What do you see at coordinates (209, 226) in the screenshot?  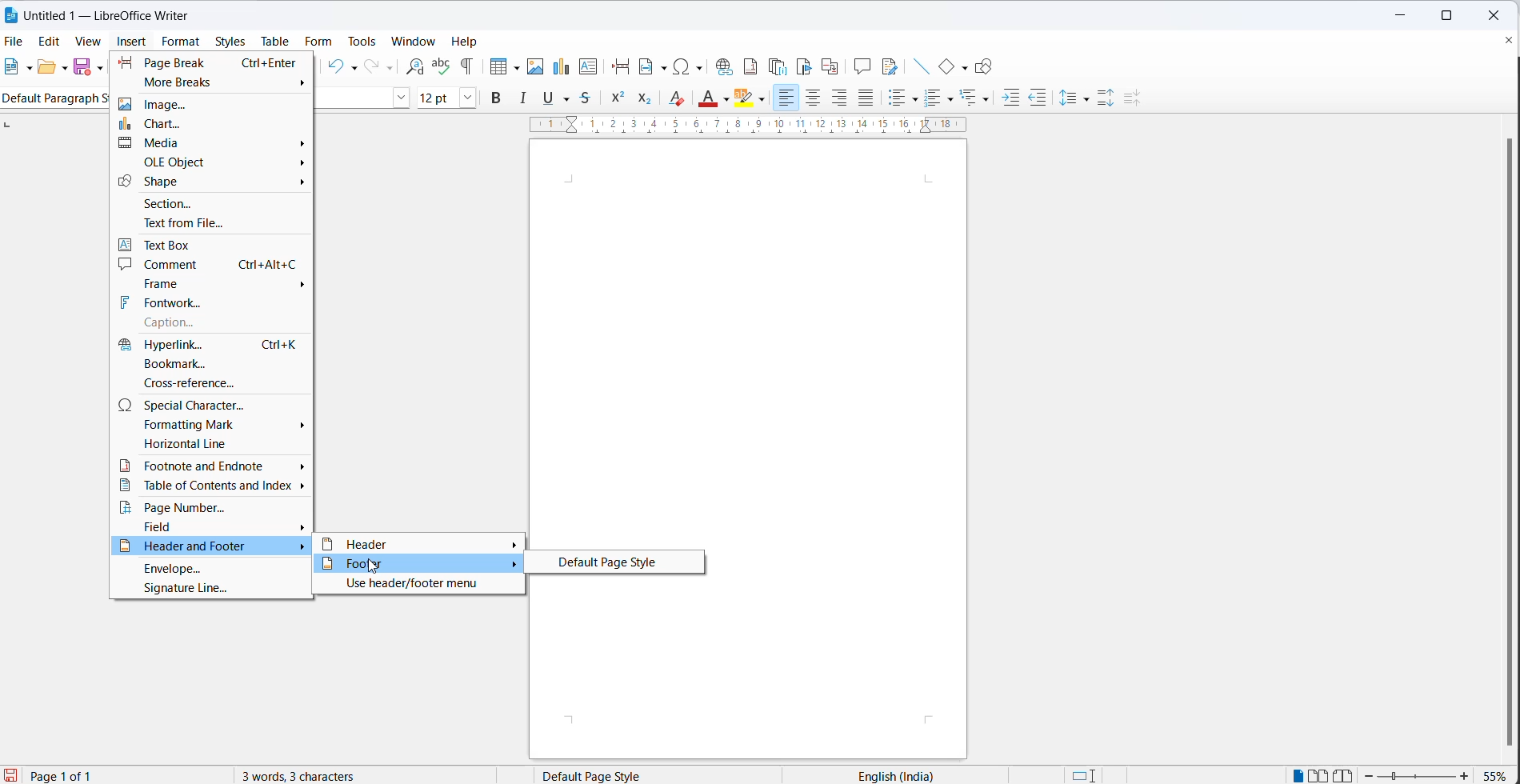 I see `text from file` at bounding box center [209, 226].